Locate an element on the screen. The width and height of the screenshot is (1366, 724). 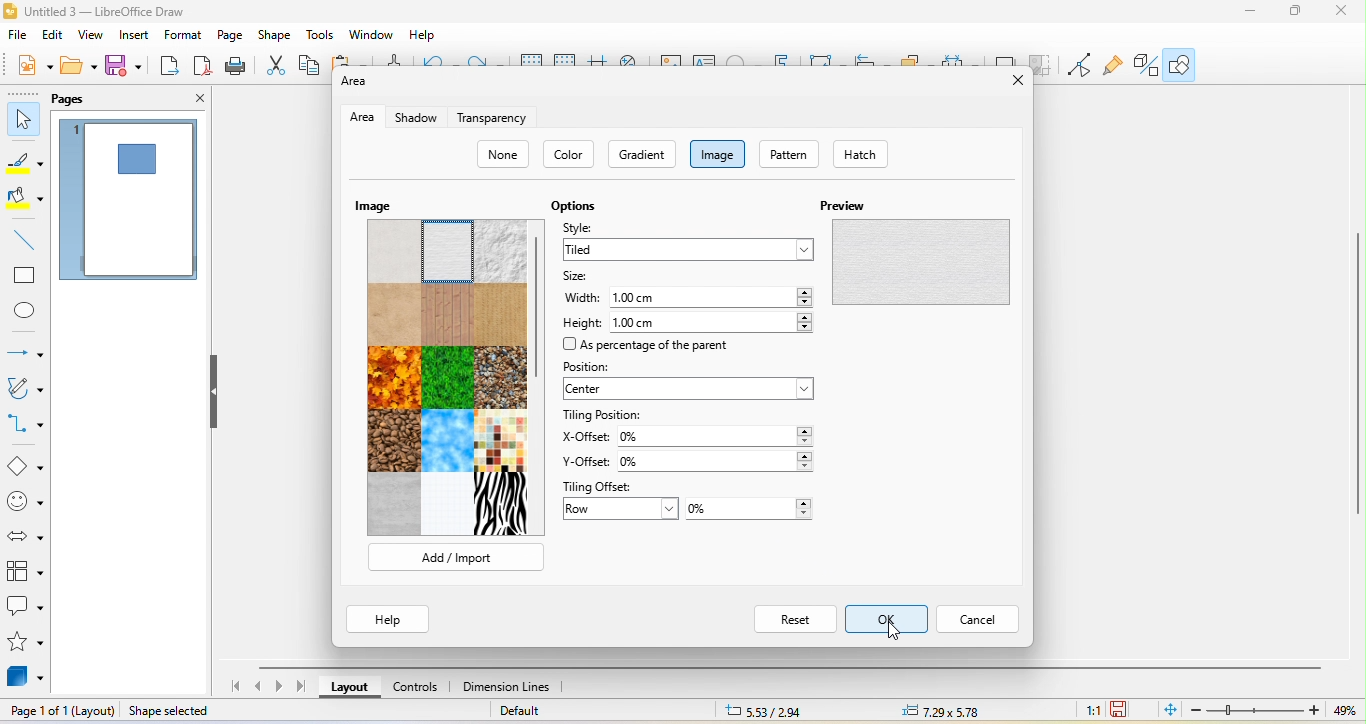
fit page to current window is located at coordinates (1167, 711).